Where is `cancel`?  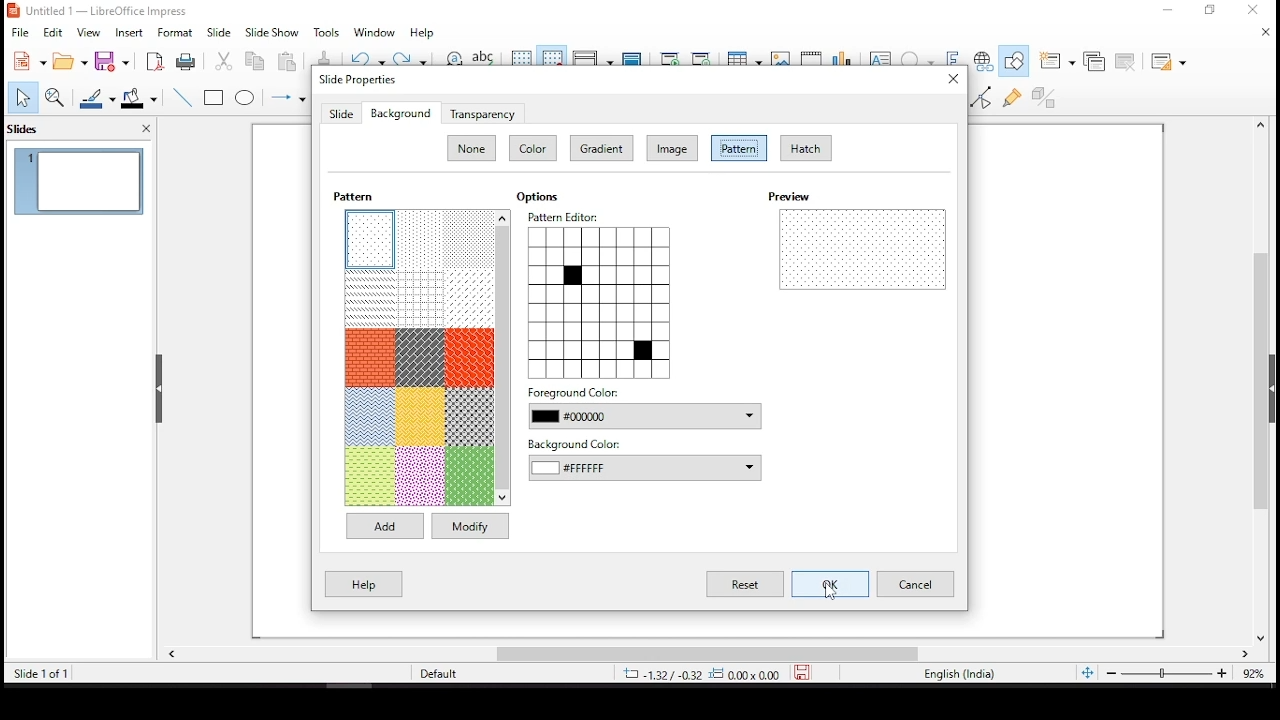
cancel is located at coordinates (914, 585).